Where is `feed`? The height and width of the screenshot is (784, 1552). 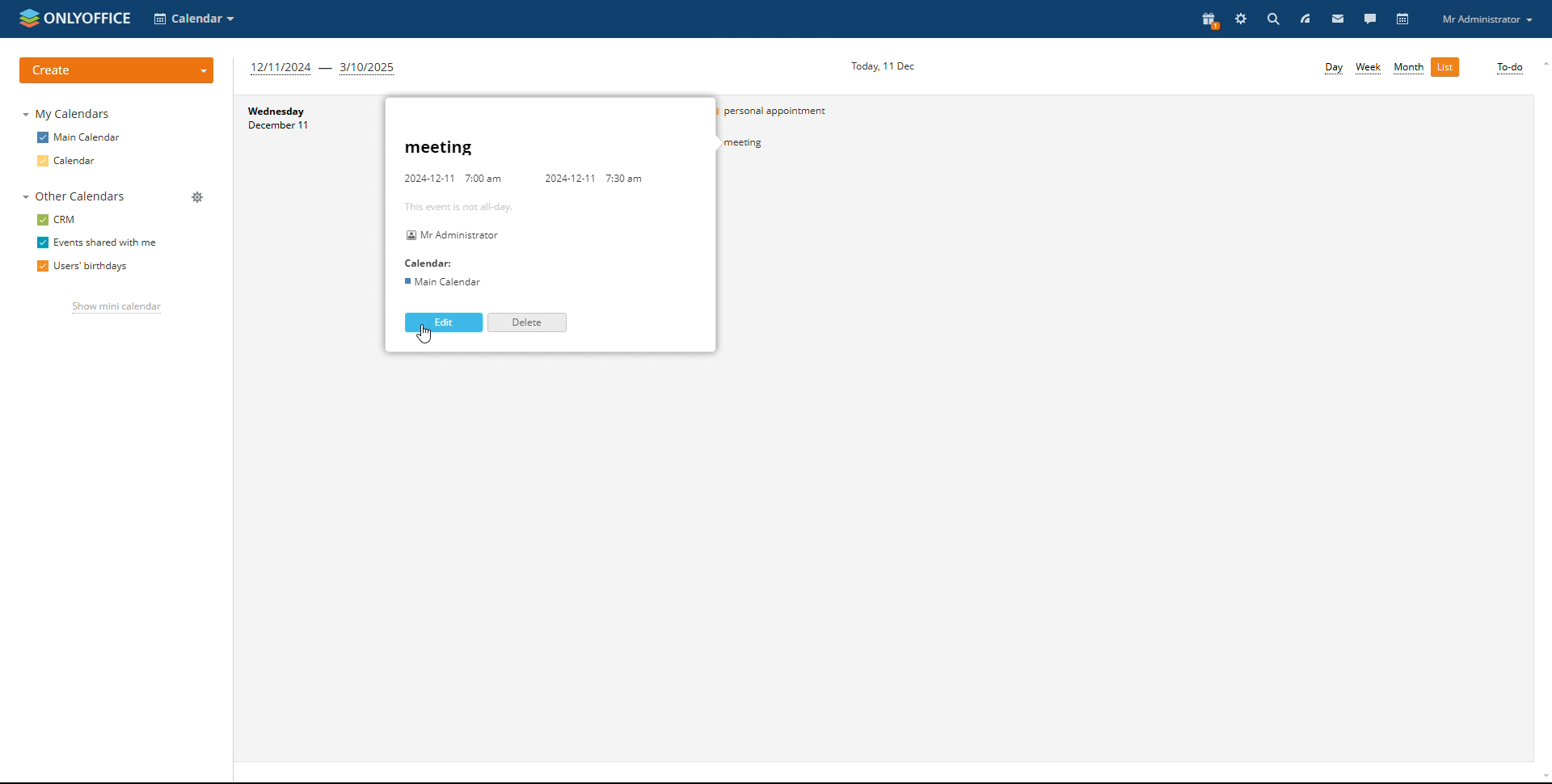
feed is located at coordinates (1305, 19).